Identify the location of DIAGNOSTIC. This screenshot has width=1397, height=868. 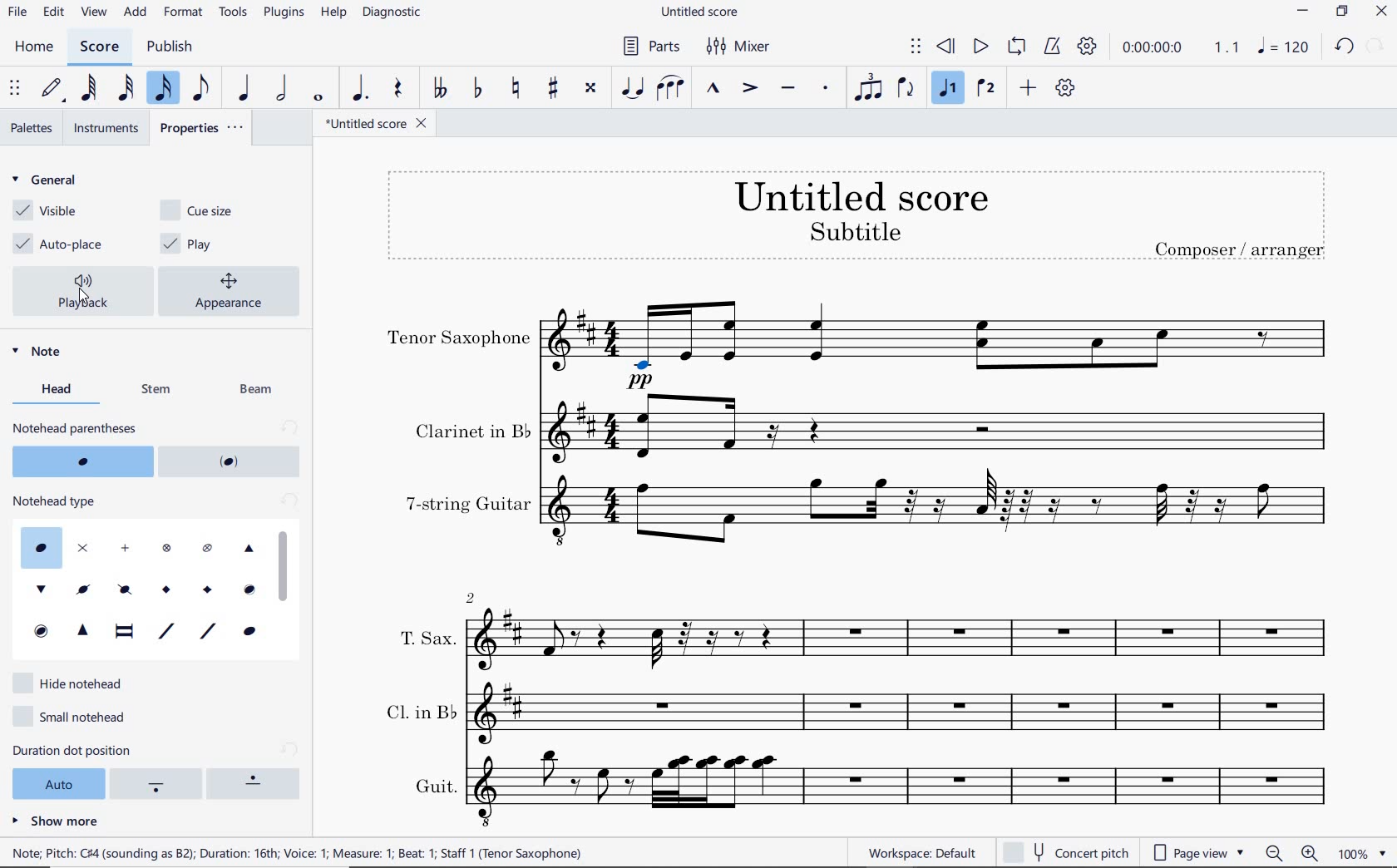
(392, 13).